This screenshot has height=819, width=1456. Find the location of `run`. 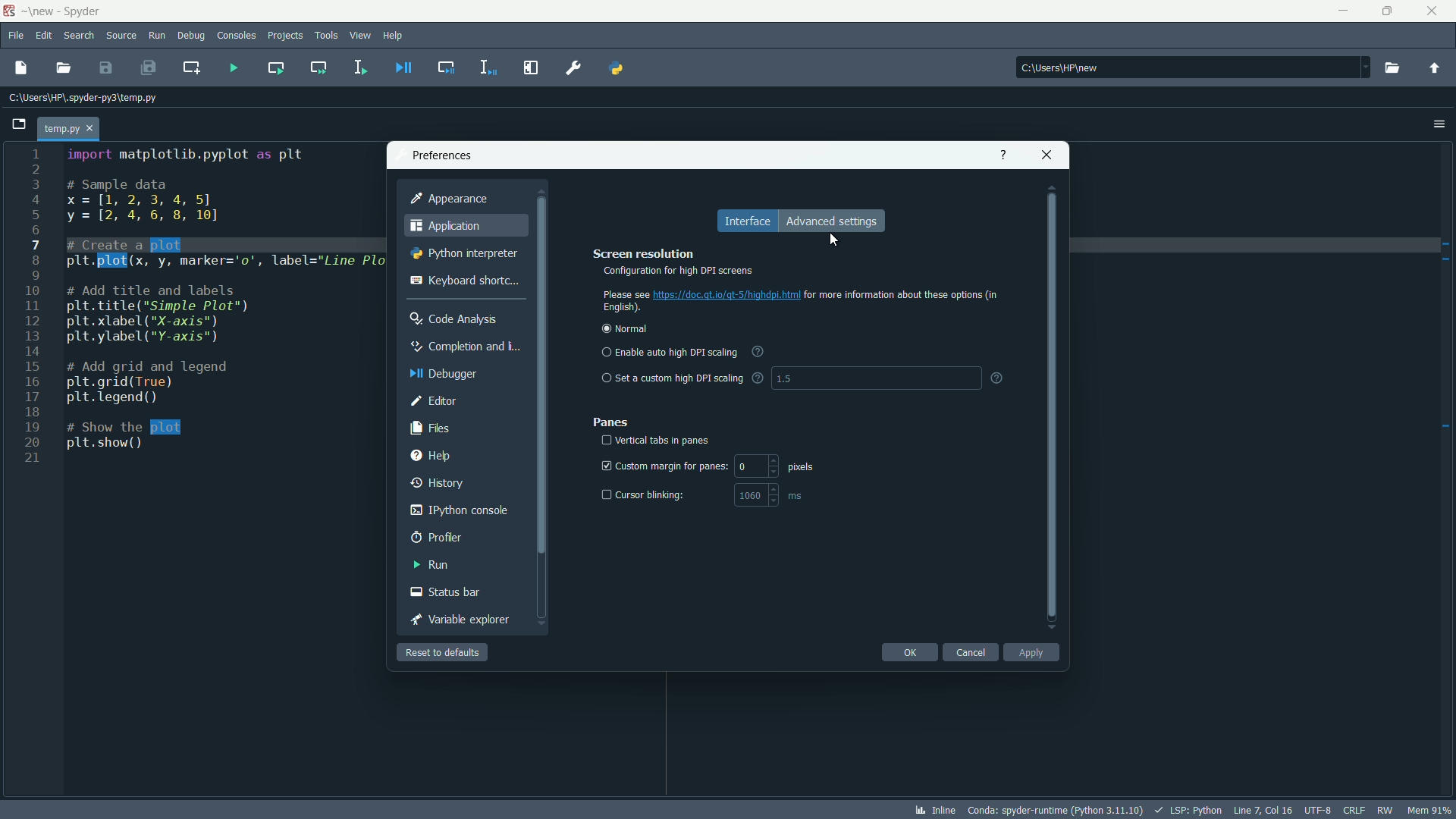

run is located at coordinates (431, 565).